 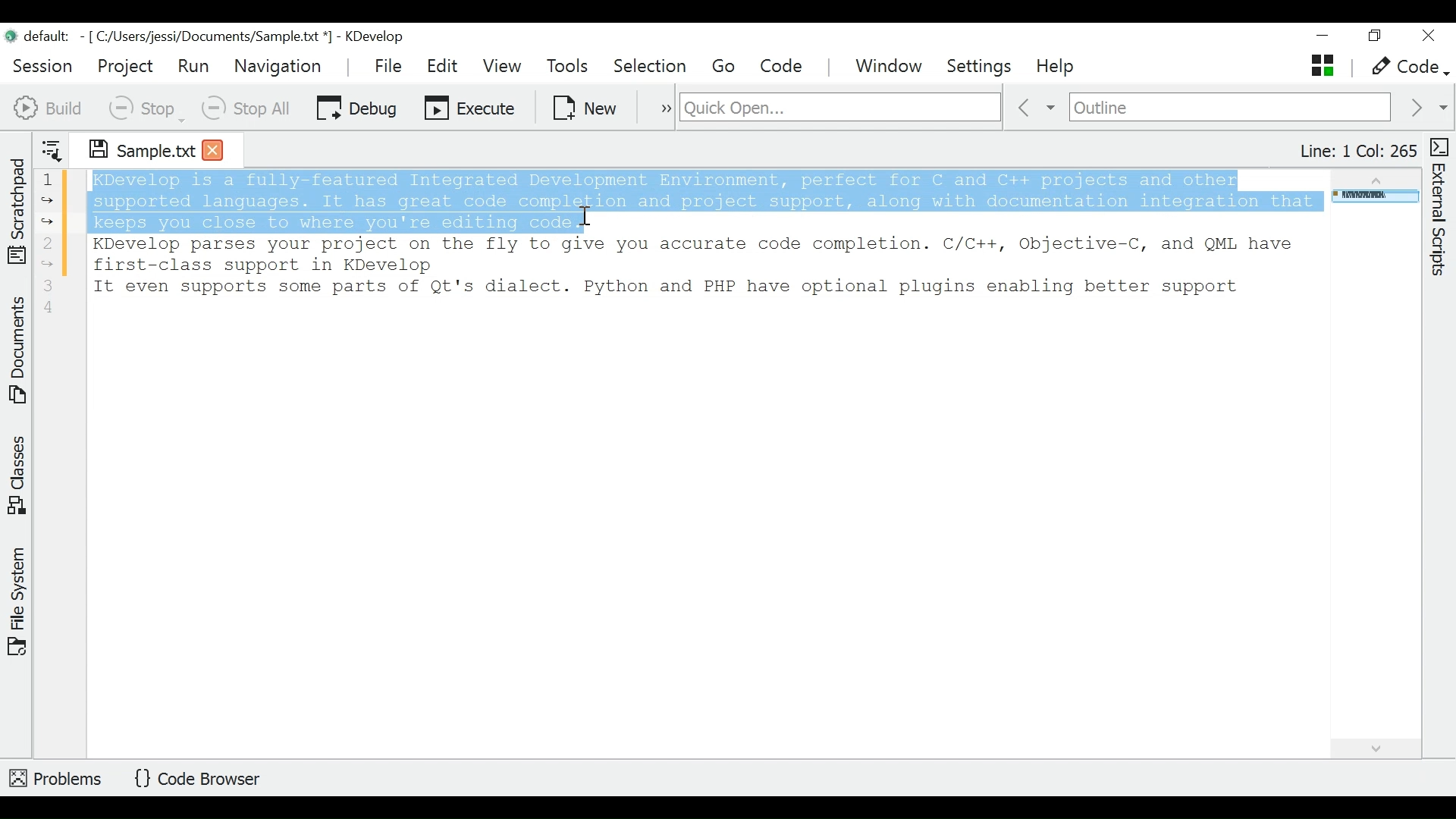 I want to click on Documents, so click(x=20, y=353).